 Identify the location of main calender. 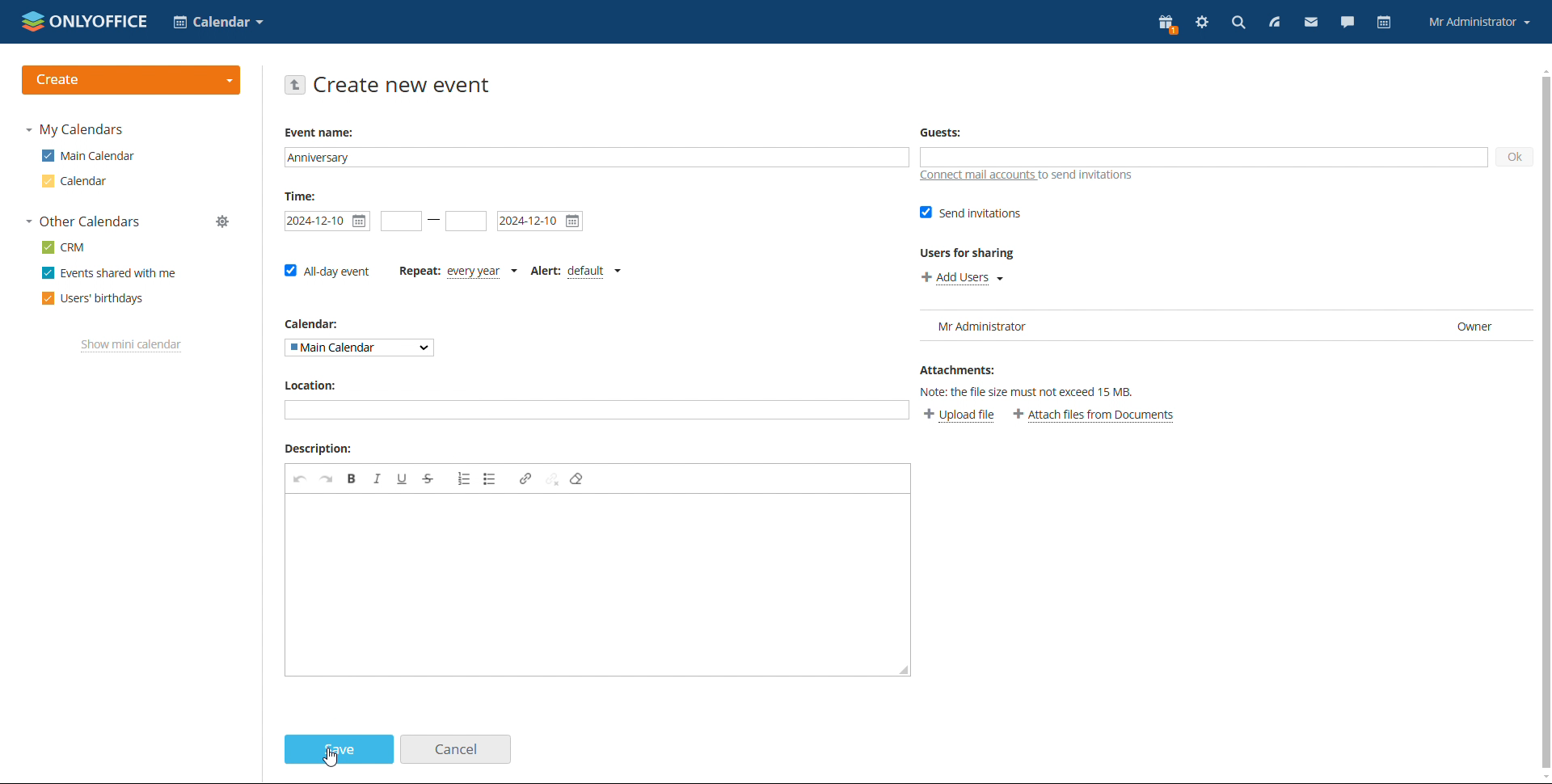
(86, 158).